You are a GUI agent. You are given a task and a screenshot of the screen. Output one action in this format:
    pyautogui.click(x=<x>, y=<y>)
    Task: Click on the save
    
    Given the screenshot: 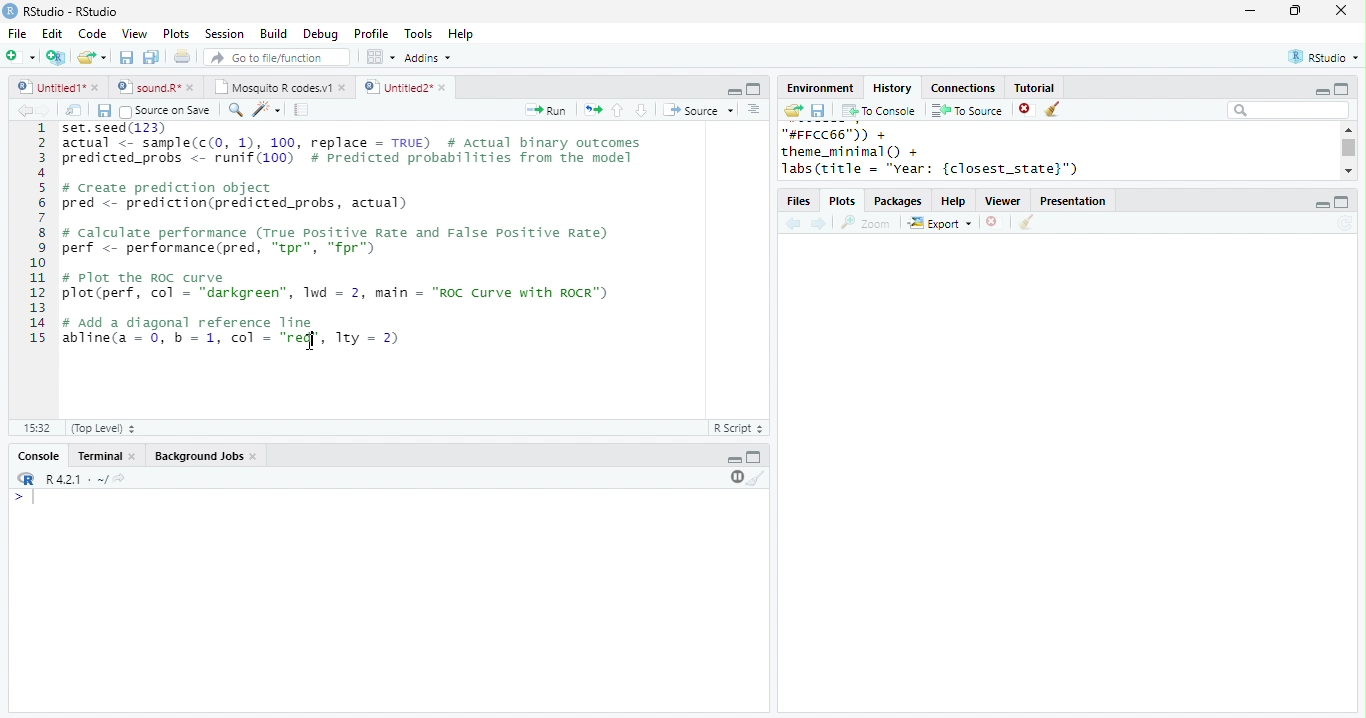 What is the action you would take?
    pyautogui.click(x=126, y=57)
    